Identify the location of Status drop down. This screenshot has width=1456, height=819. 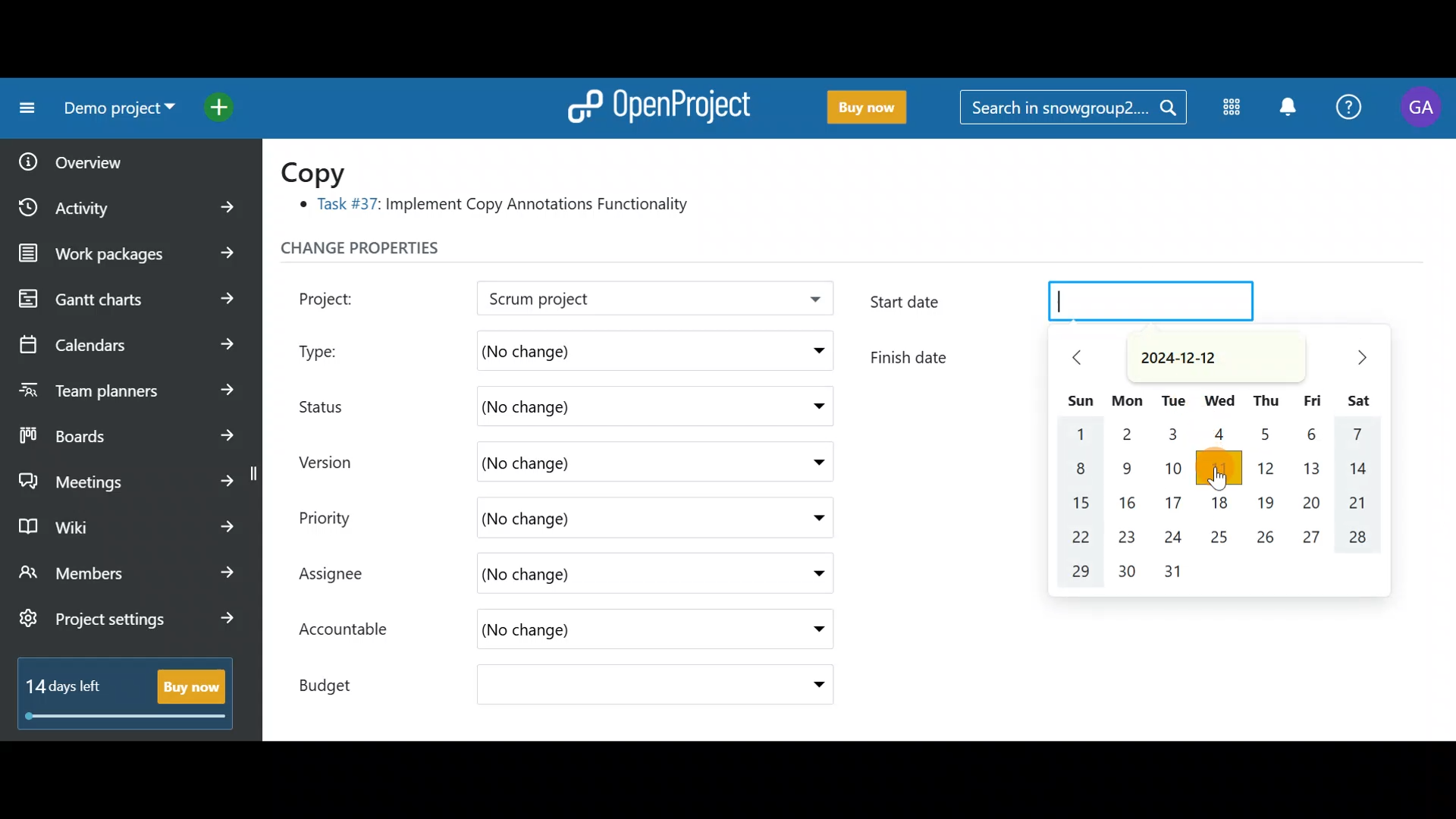
(814, 406).